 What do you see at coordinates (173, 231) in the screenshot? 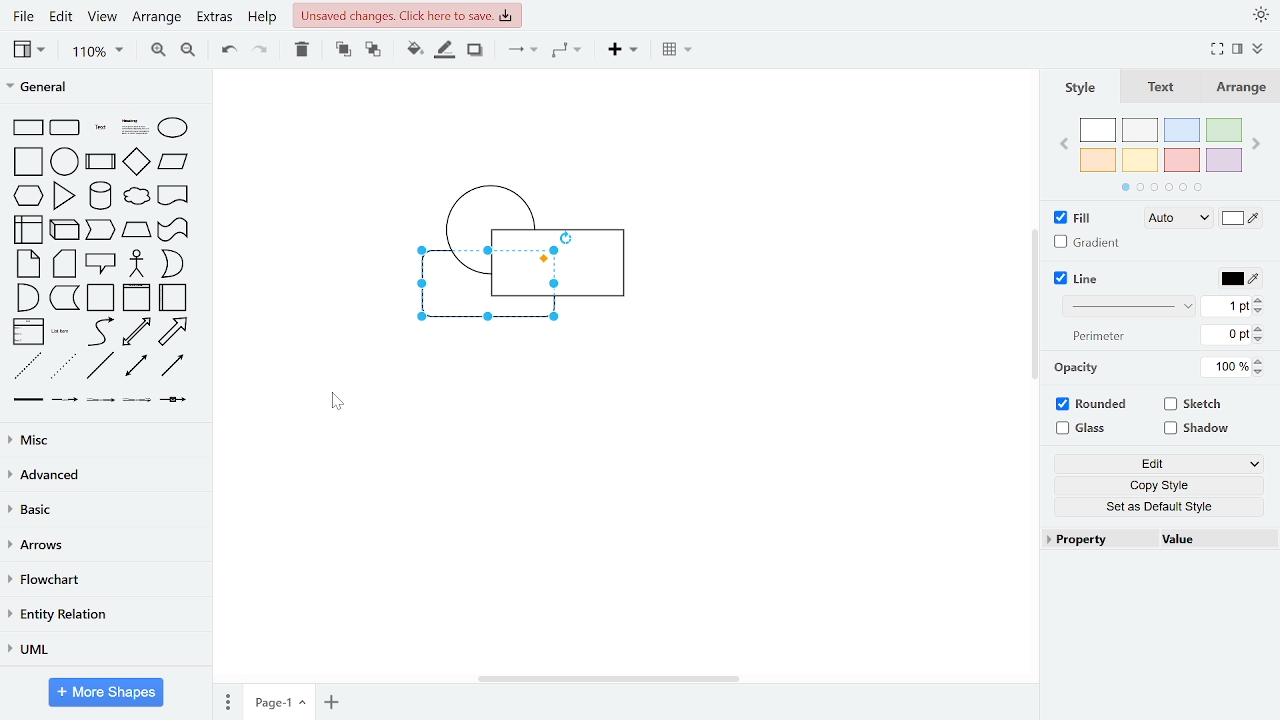
I see `tape` at bounding box center [173, 231].